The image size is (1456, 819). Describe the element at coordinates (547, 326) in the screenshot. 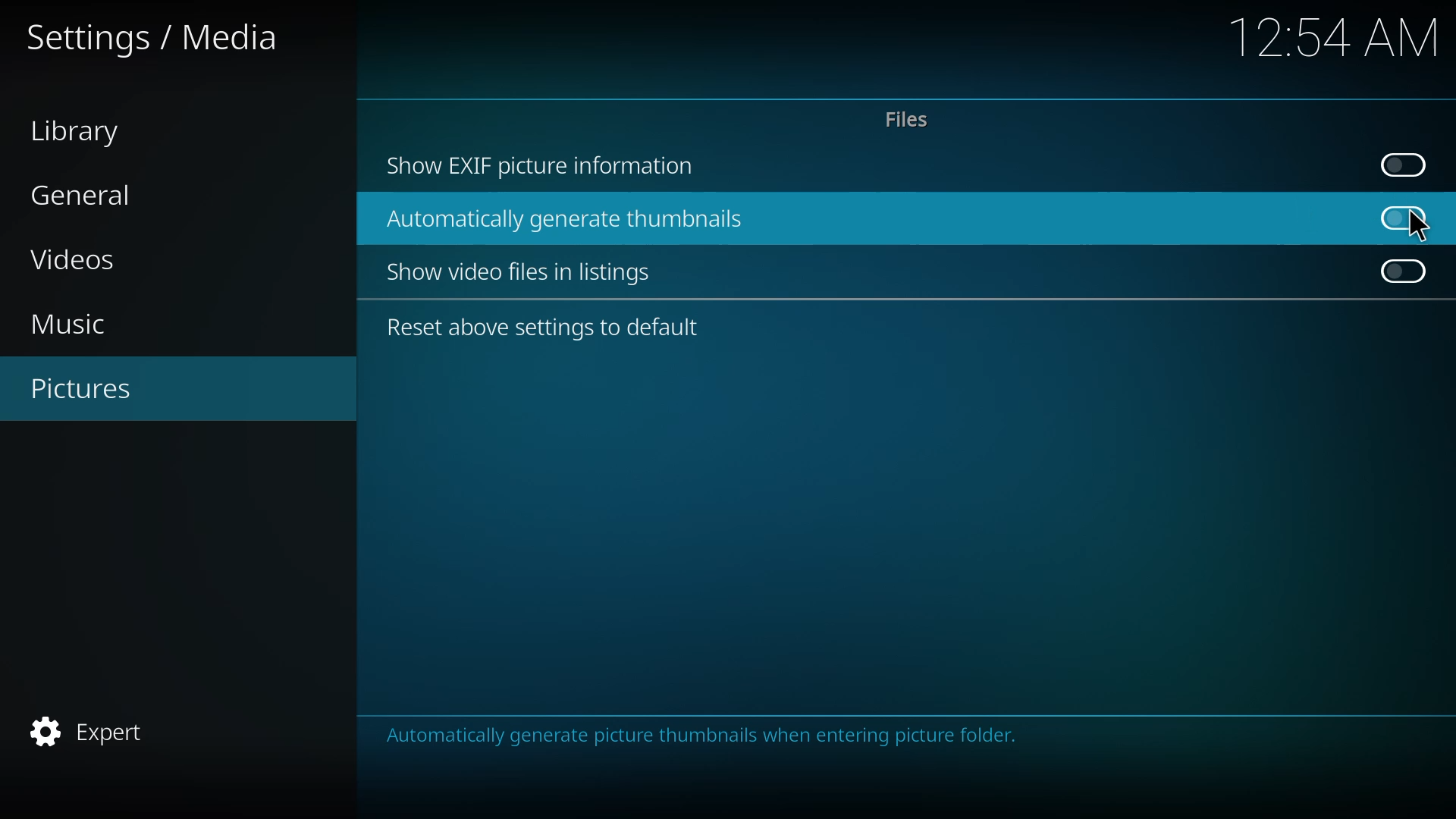

I see `reset above settings to default` at that location.